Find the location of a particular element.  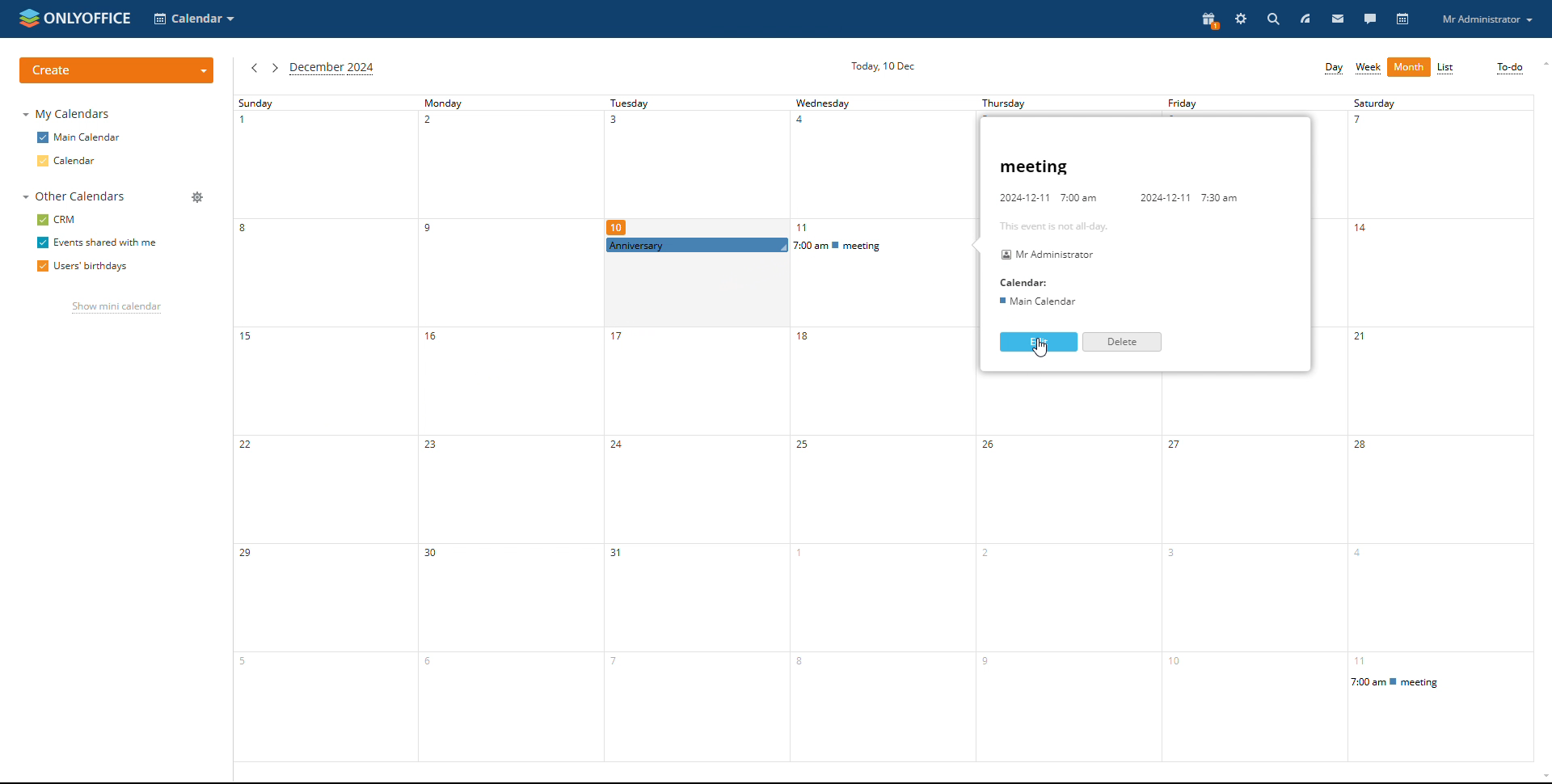

| This eventis not all-day. is located at coordinates (1044, 224).